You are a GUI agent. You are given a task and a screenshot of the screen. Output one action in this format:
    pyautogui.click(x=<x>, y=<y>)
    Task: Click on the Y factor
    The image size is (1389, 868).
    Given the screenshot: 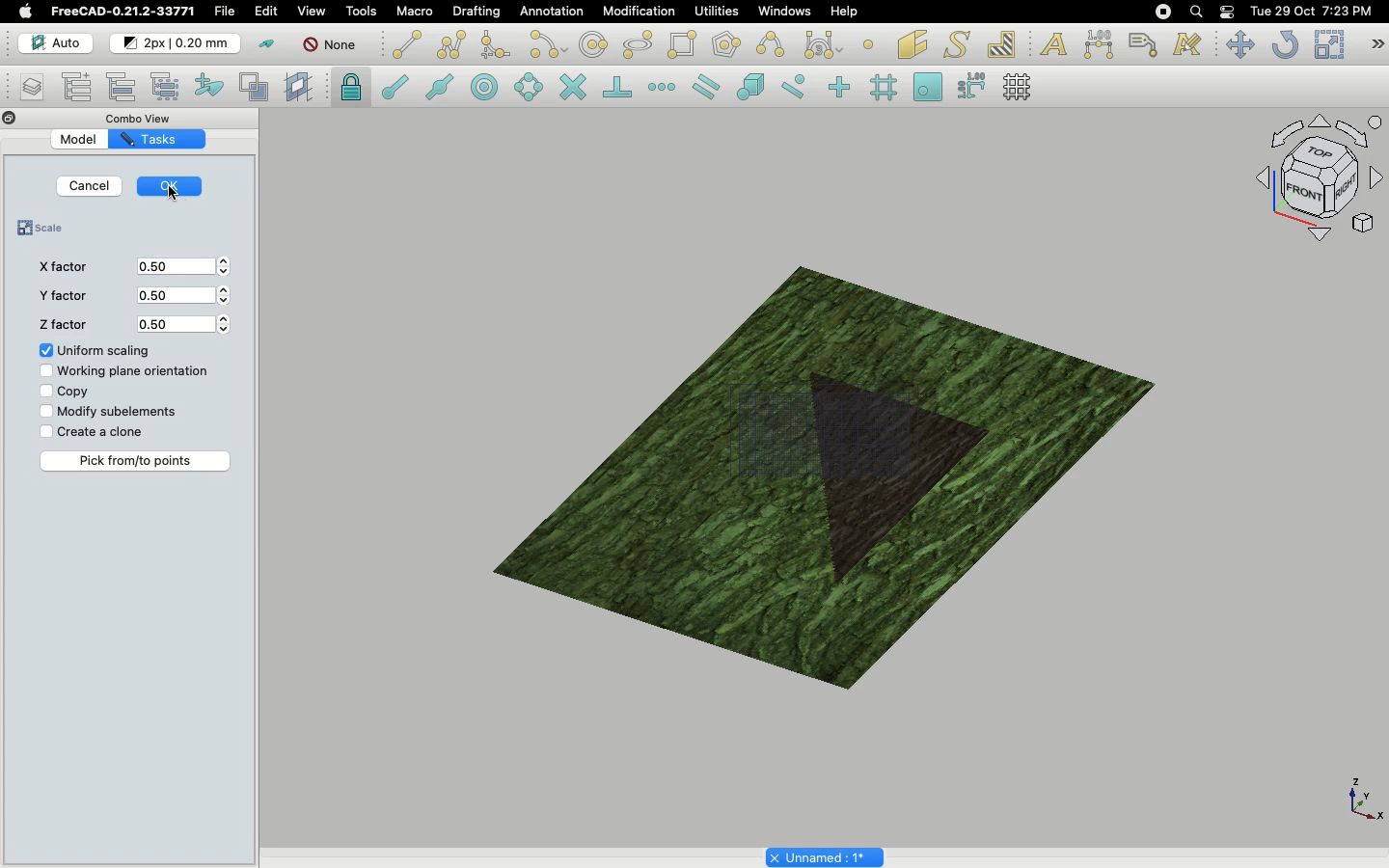 What is the action you would take?
    pyautogui.click(x=61, y=299)
    